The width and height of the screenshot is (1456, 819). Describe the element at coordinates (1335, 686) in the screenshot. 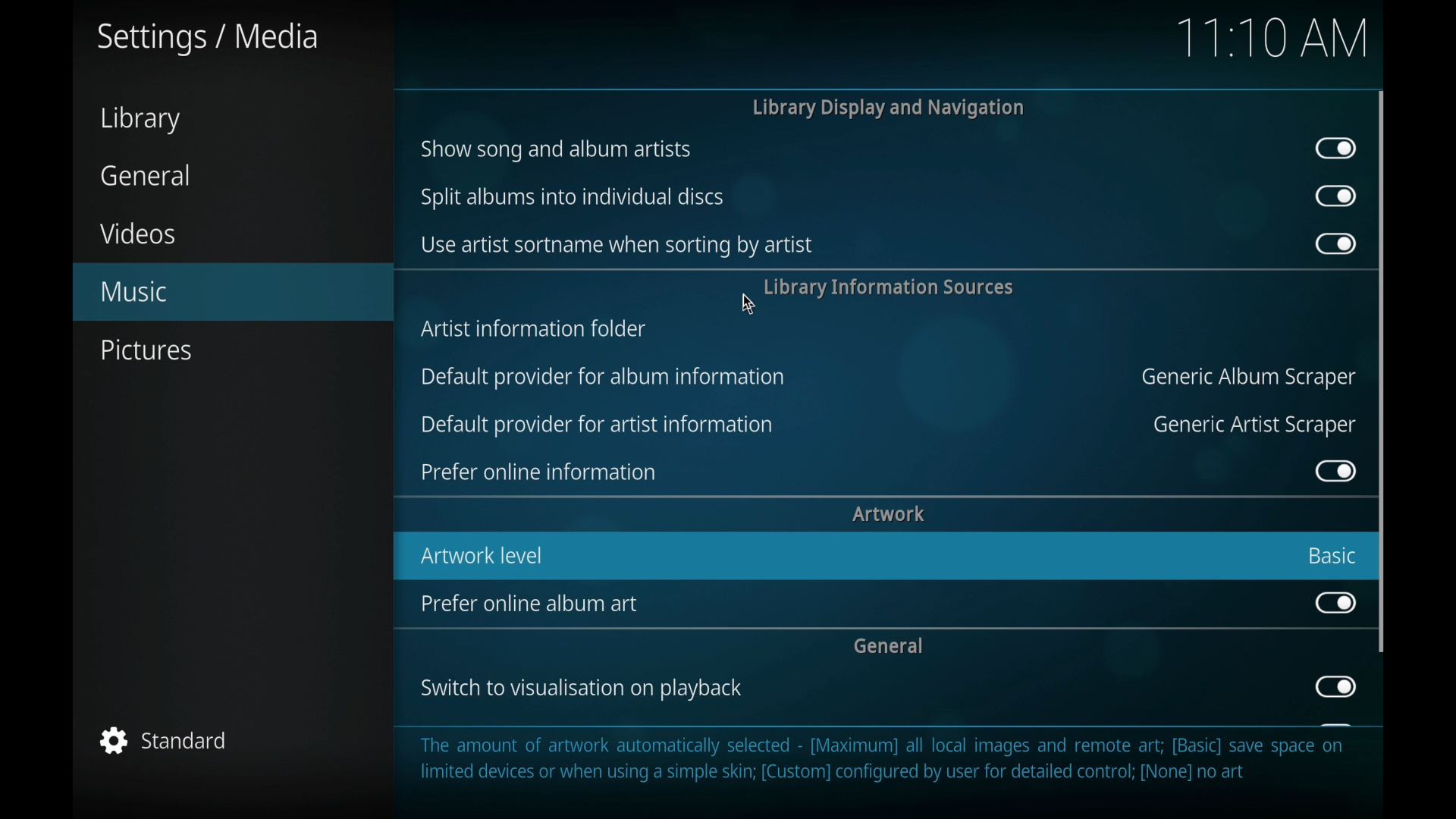

I see `toggle button` at that location.